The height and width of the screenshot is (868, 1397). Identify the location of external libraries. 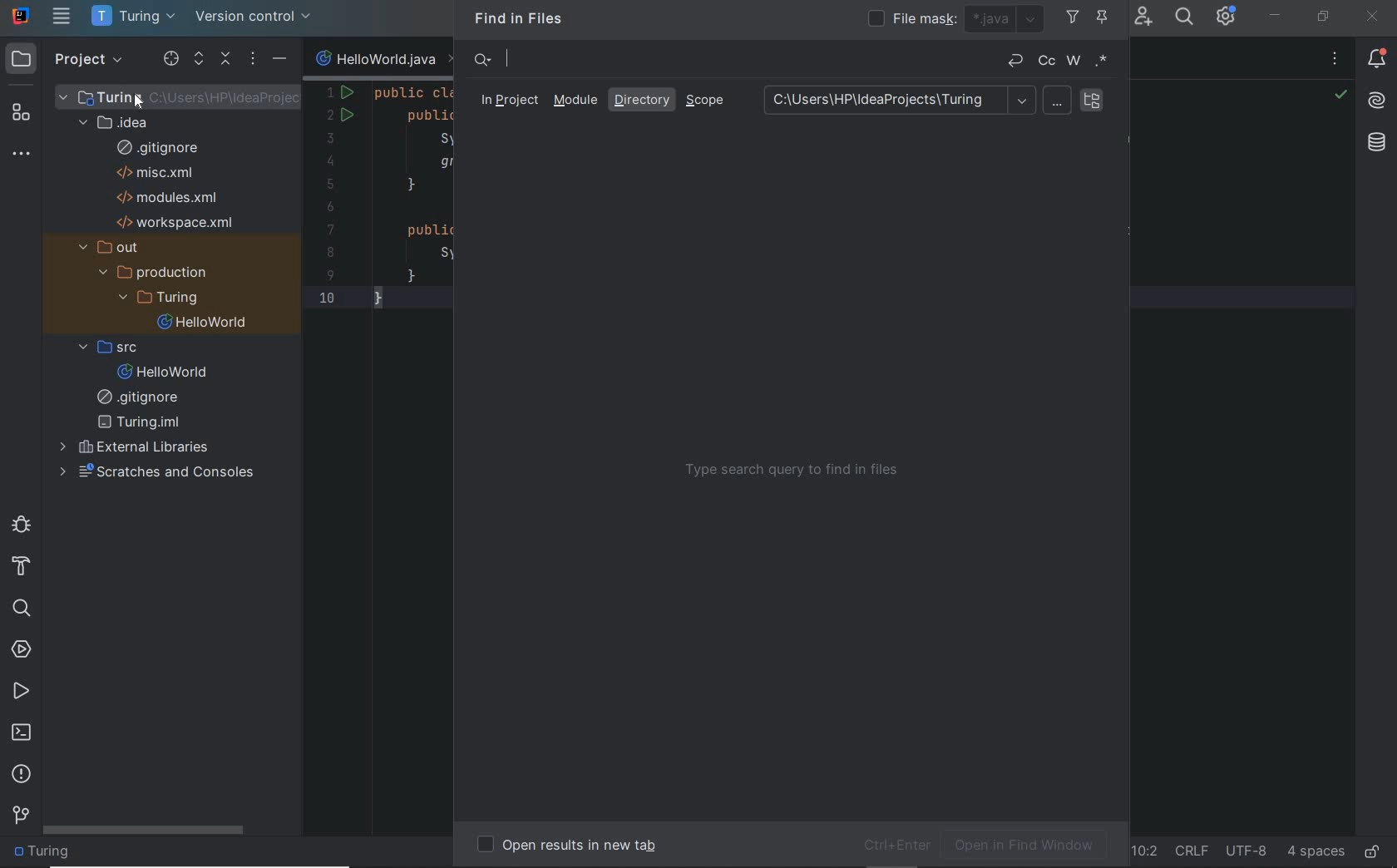
(138, 449).